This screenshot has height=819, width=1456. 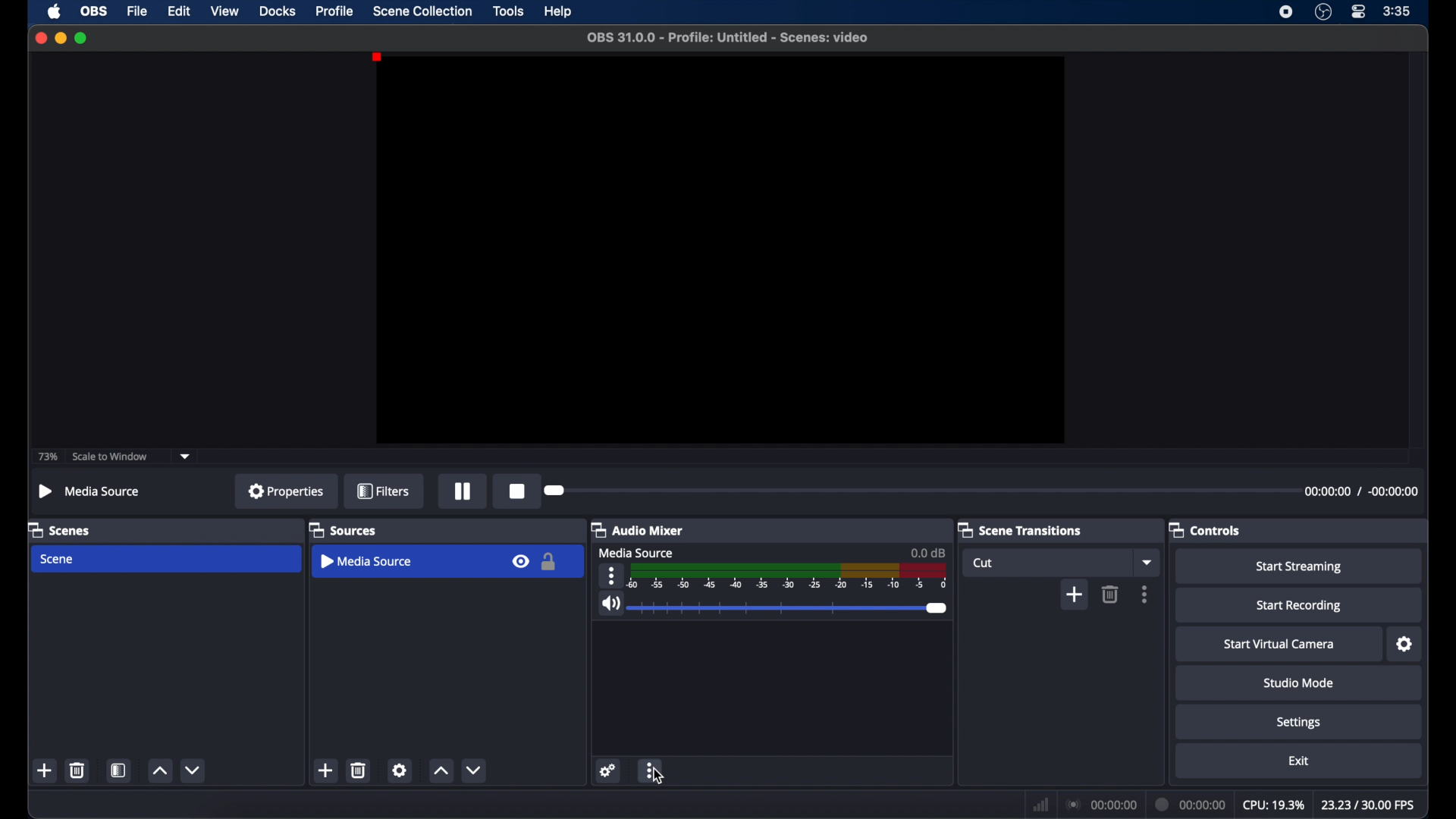 What do you see at coordinates (59, 529) in the screenshot?
I see `scenes` at bounding box center [59, 529].